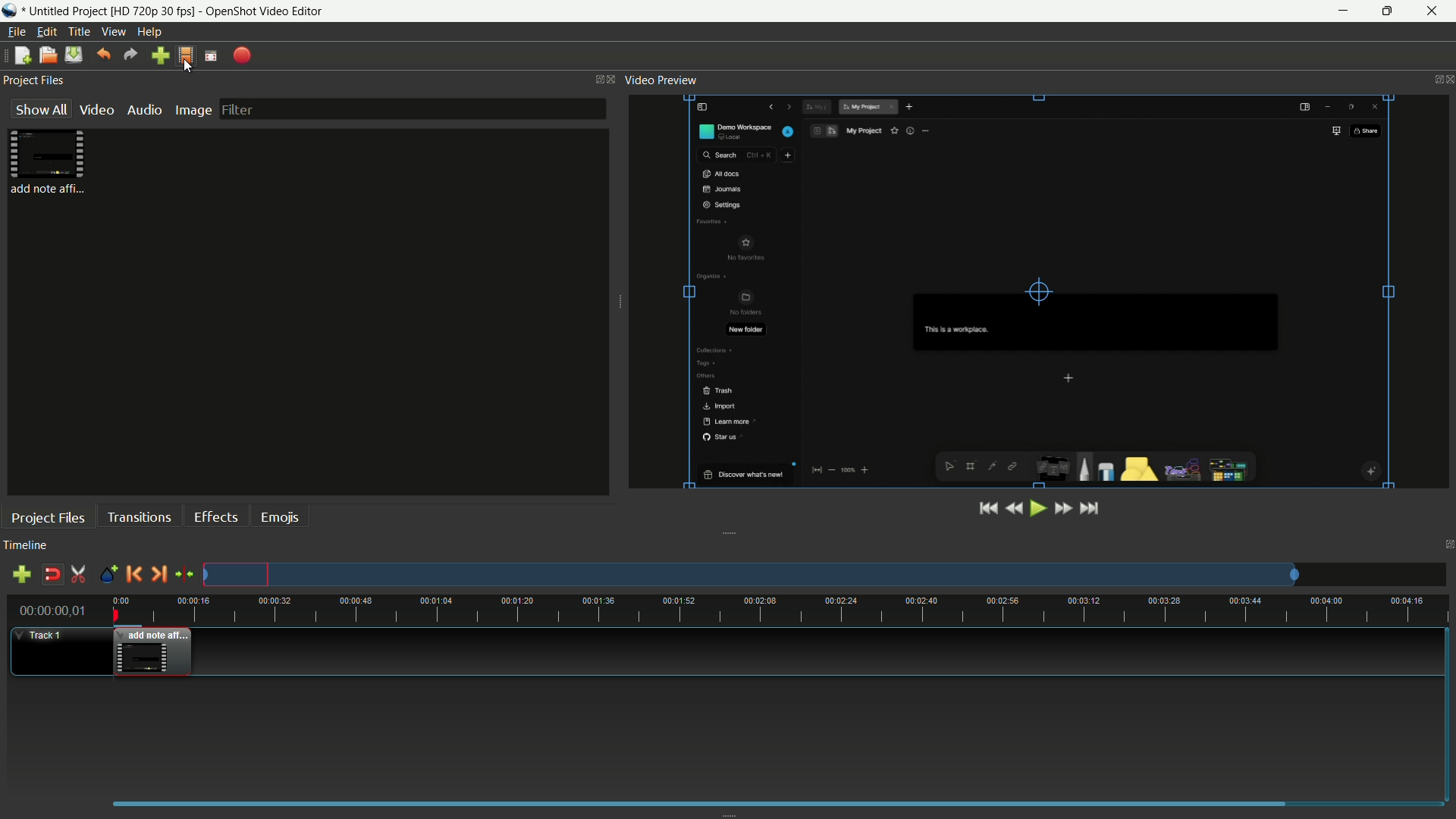 The width and height of the screenshot is (1456, 819). Describe the element at coordinates (595, 79) in the screenshot. I see `change layout` at that location.